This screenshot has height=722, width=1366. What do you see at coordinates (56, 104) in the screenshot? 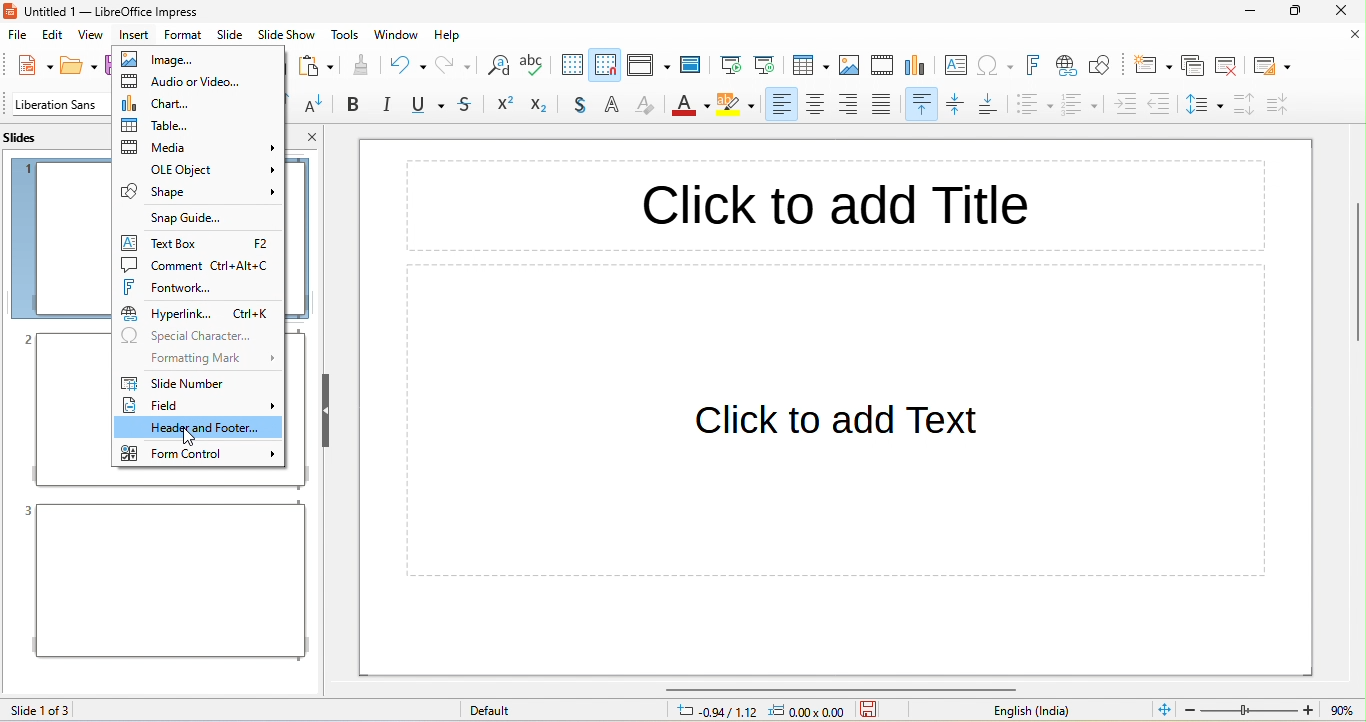
I see `font name` at bounding box center [56, 104].